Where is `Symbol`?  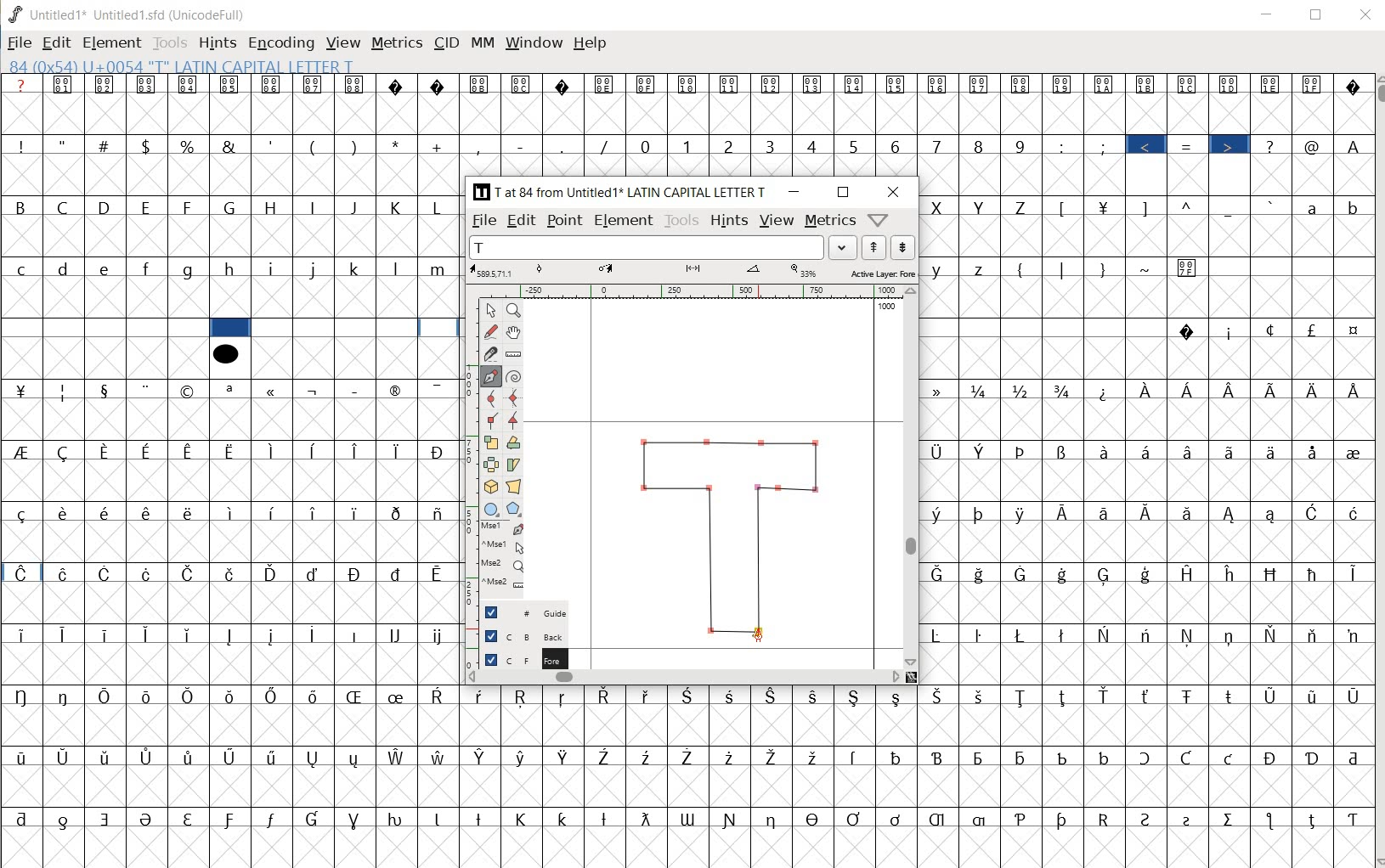
Symbol is located at coordinates (438, 512).